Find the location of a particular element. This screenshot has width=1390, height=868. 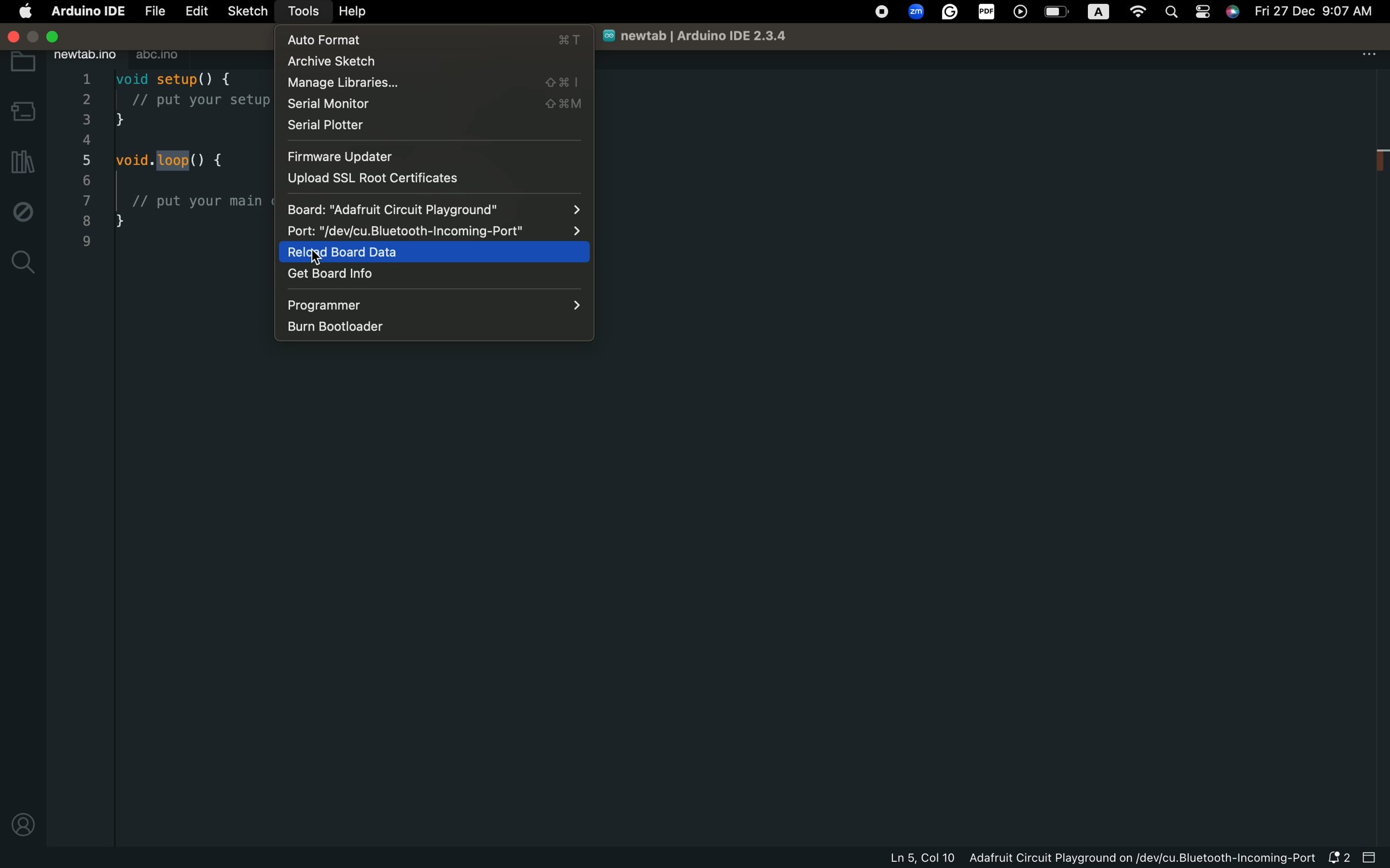

archive sketch is located at coordinates (430, 62).